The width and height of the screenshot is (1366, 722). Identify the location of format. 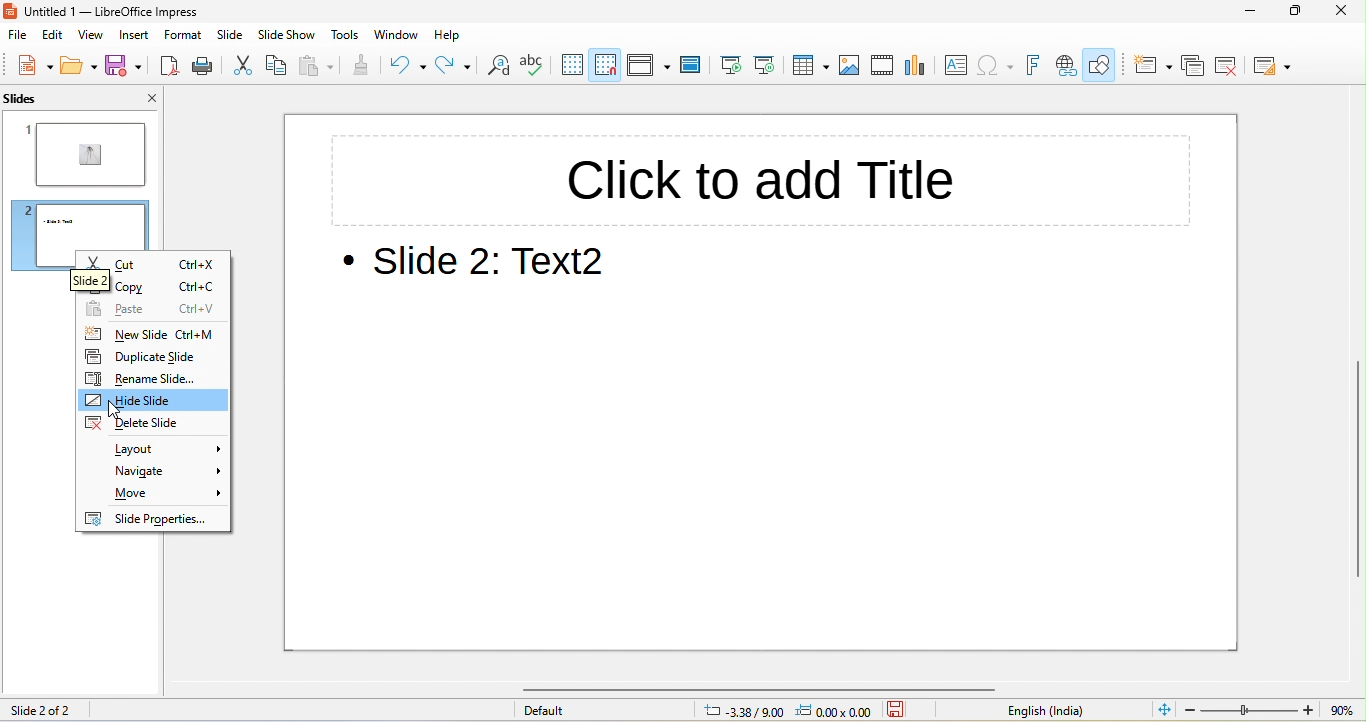
(187, 37).